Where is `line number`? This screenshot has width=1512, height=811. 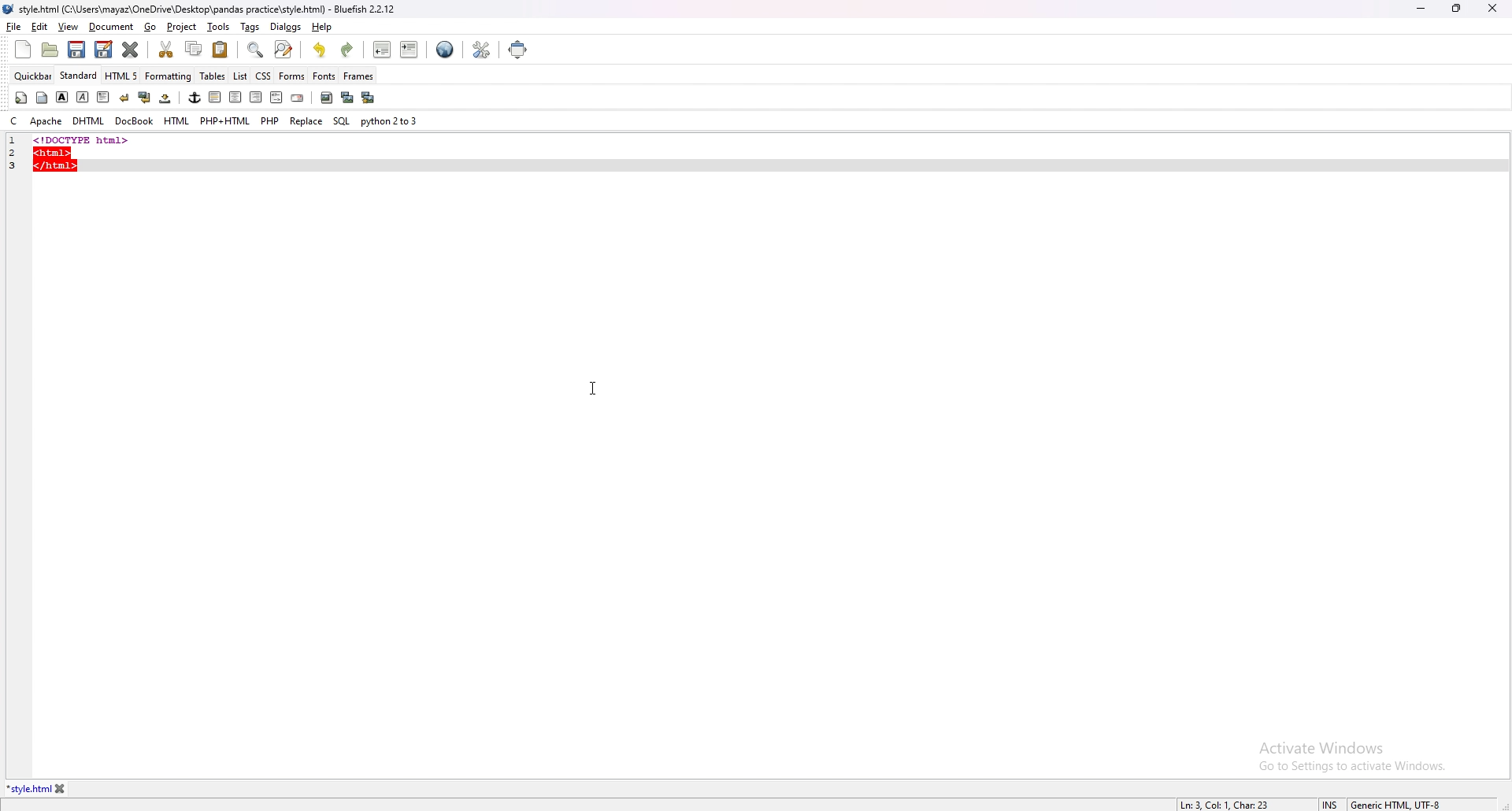 line number is located at coordinates (13, 141).